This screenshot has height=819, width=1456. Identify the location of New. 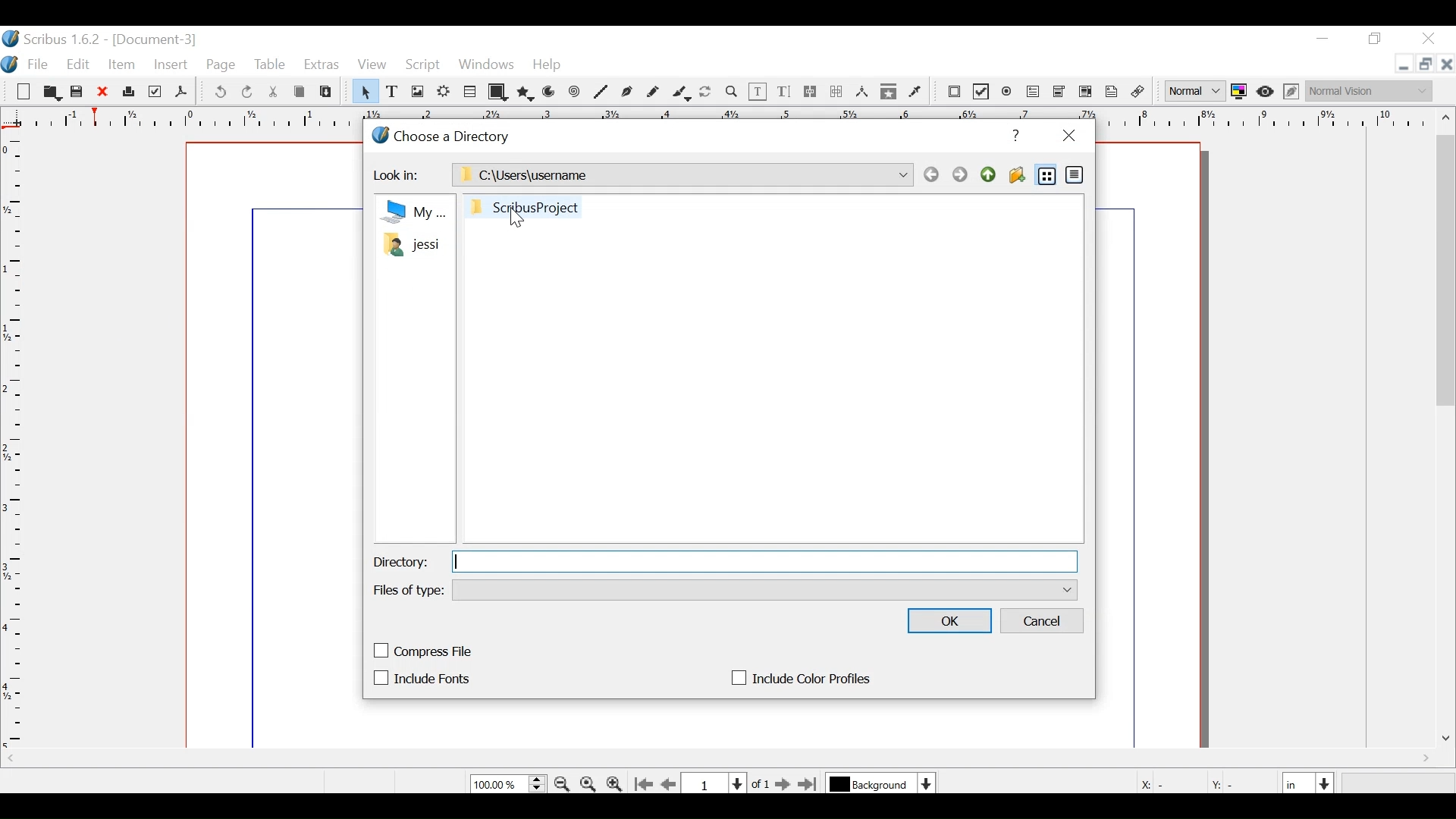
(27, 93).